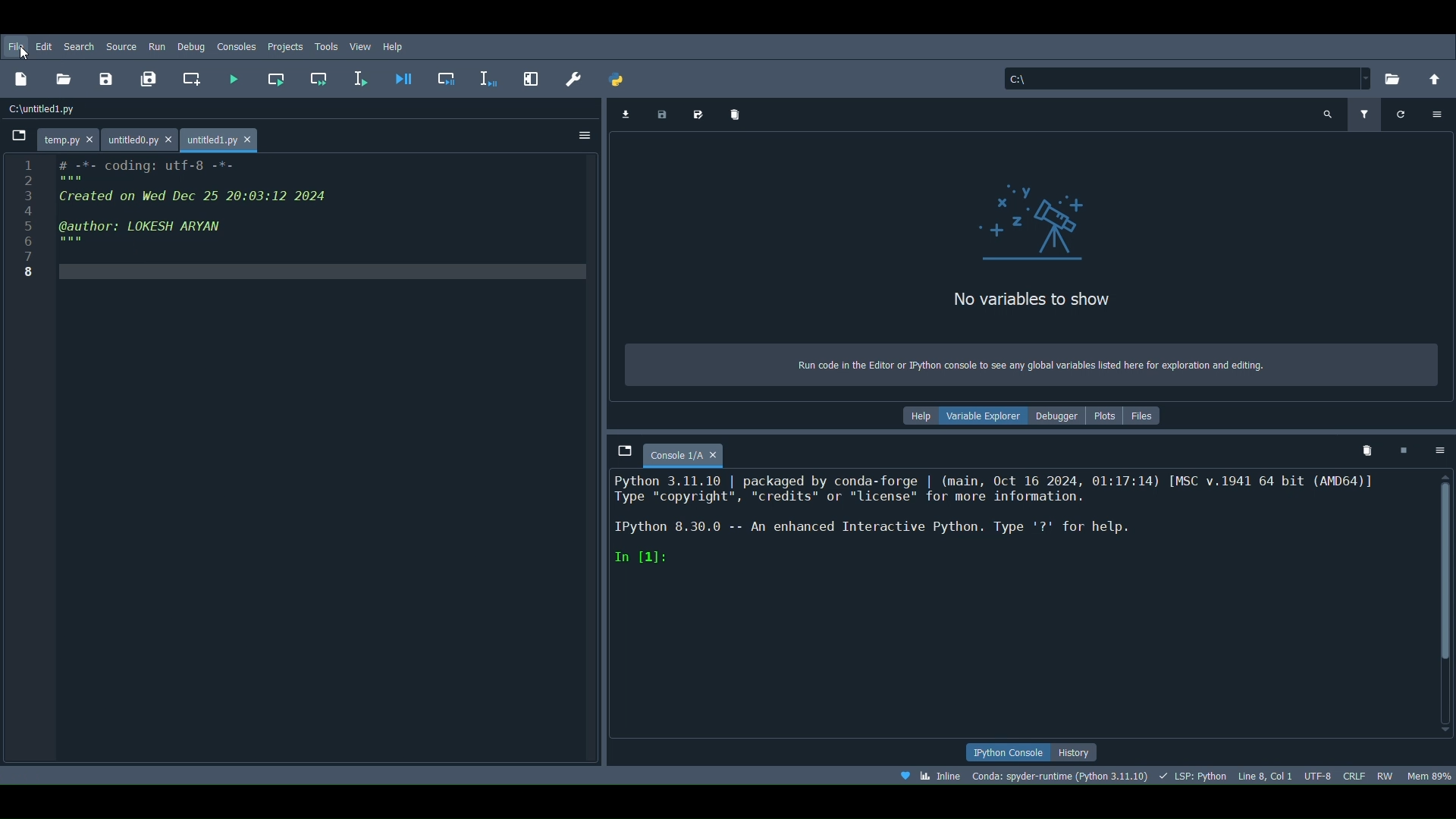 This screenshot has height=819, width=1456. I want to click on Source, so click(122, 46).